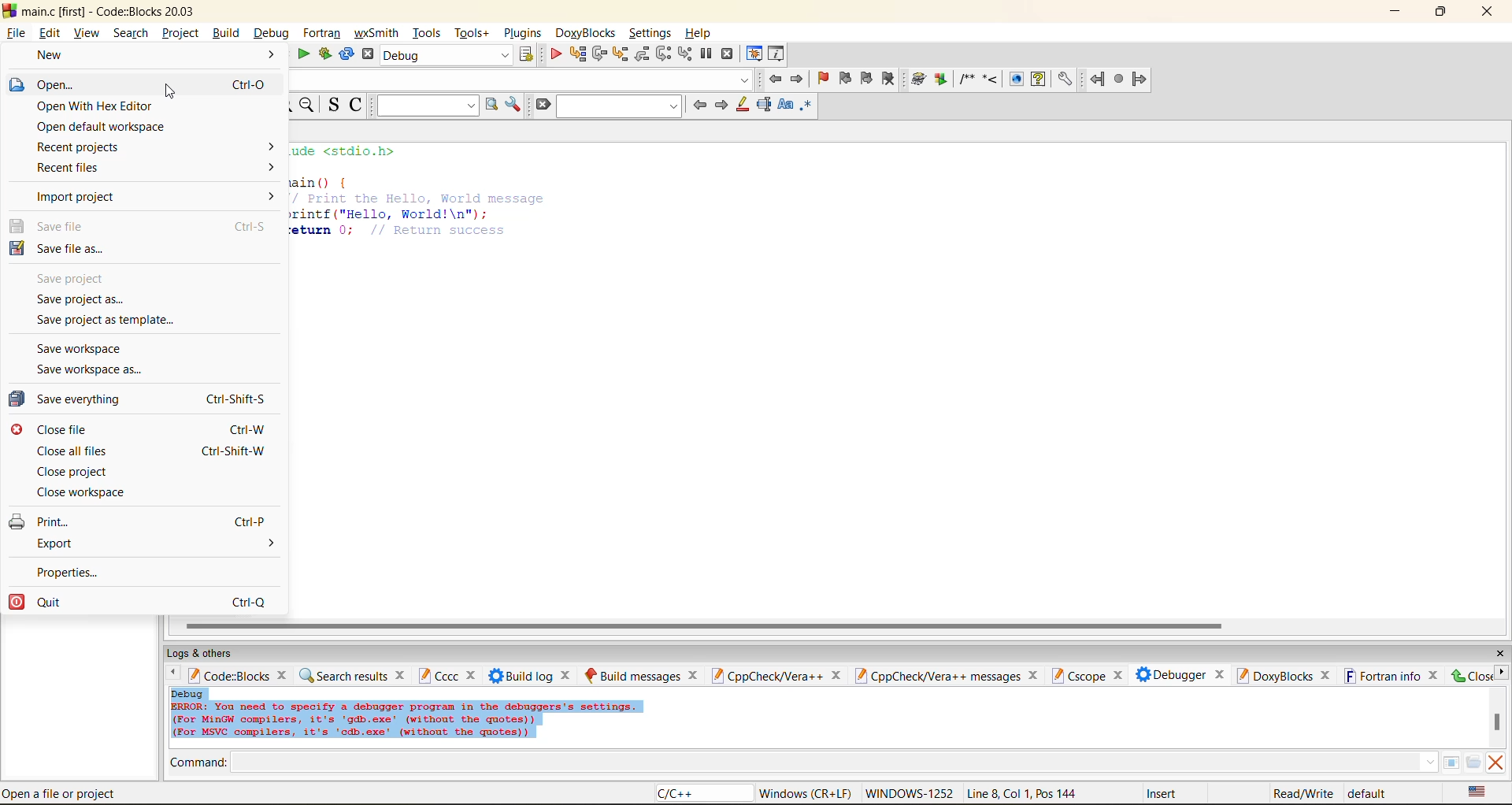  Describe the element at coordinates (1499, 654) in the screenshot. I see `close` at that location.